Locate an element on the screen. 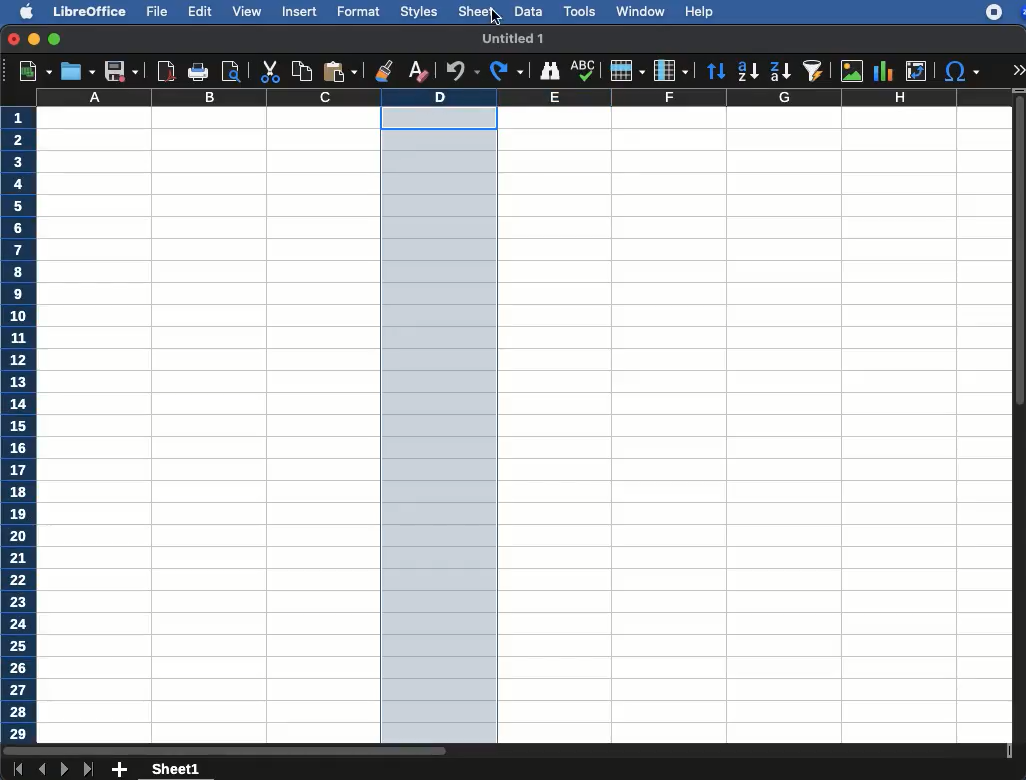 This screenshot has width=1026, height=780. new is located at coordinates (30, 72).